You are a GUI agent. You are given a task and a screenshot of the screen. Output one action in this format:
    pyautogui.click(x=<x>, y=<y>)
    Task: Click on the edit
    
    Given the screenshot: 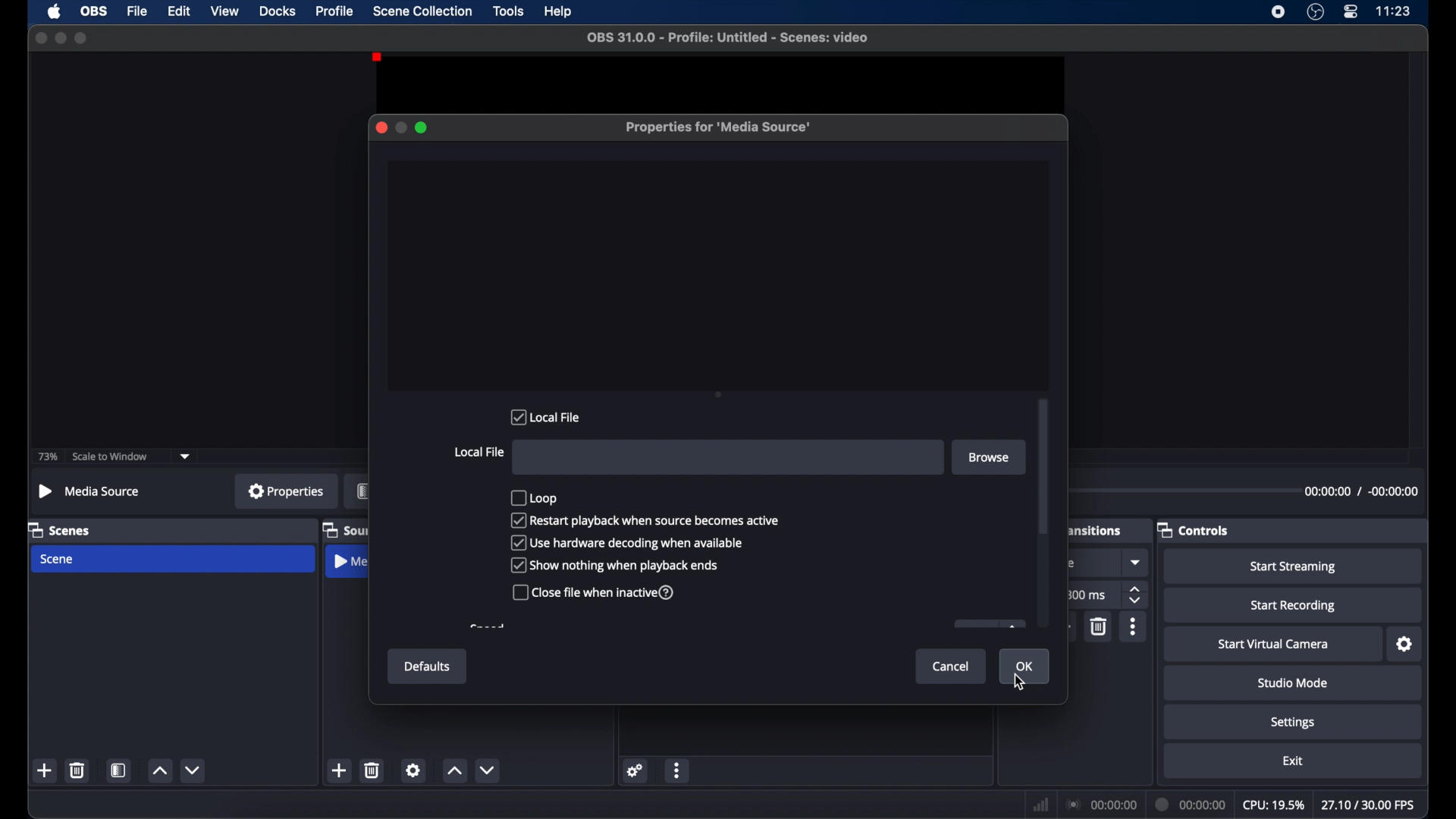 What is the action you would take?
    pyautogui.click(x=178, y=11)
    